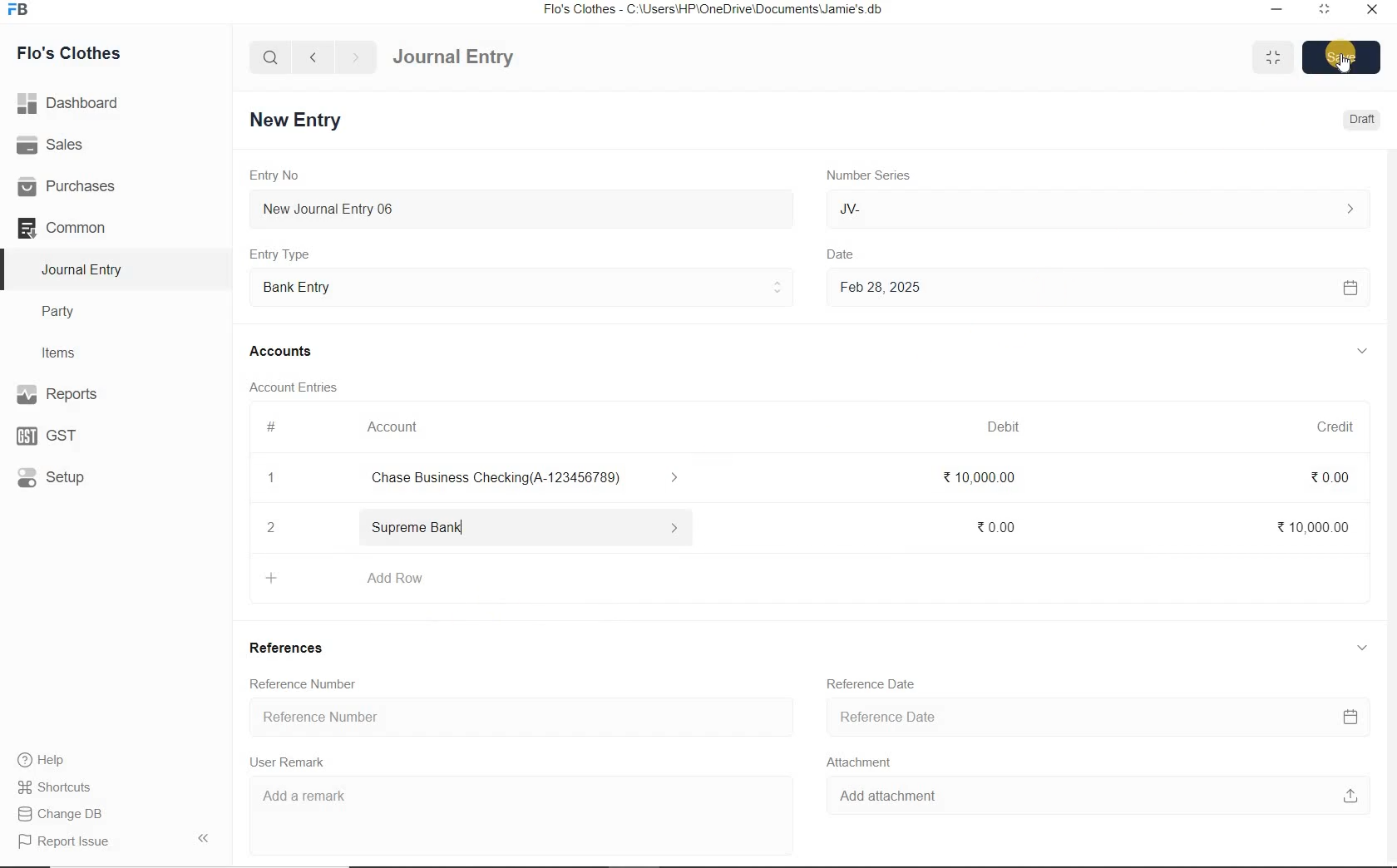 The height and width of the screenshot is (868, 1397). What do you see at coordinates (70, 312) in the screenshot?
I see `Party` at bounding box center [70, 312].